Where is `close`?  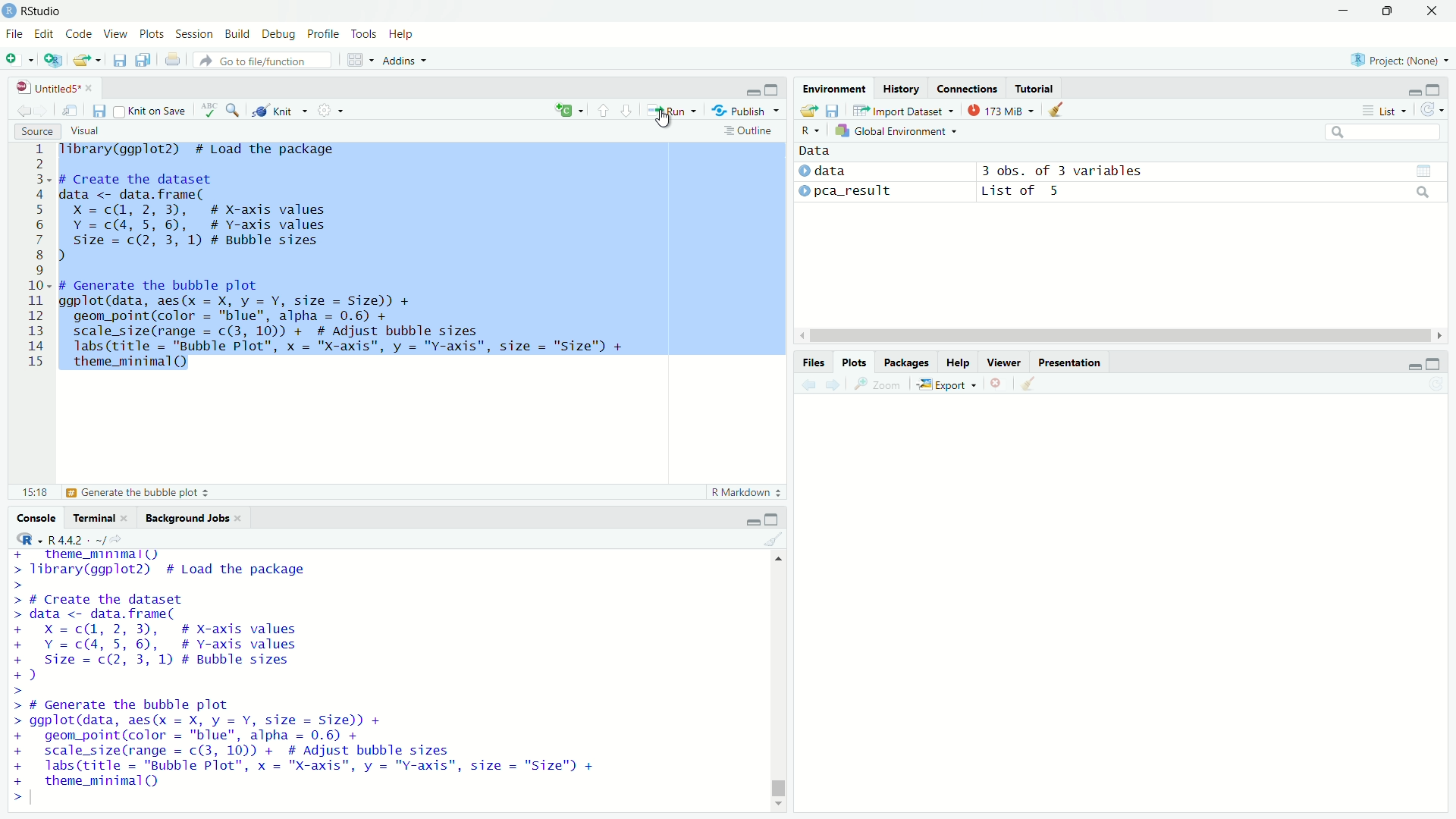 close is located at coordinates (1432, 11).